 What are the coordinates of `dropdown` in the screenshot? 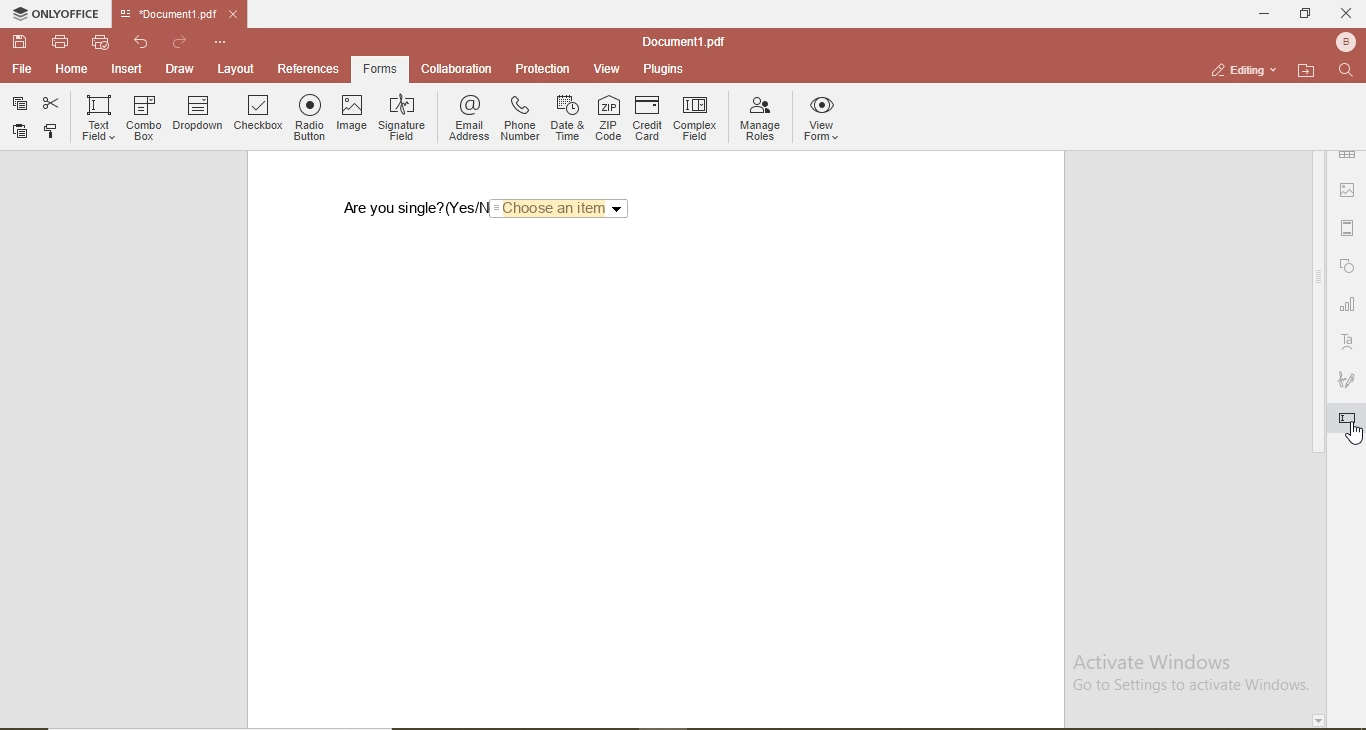 It's located at (199, 115).